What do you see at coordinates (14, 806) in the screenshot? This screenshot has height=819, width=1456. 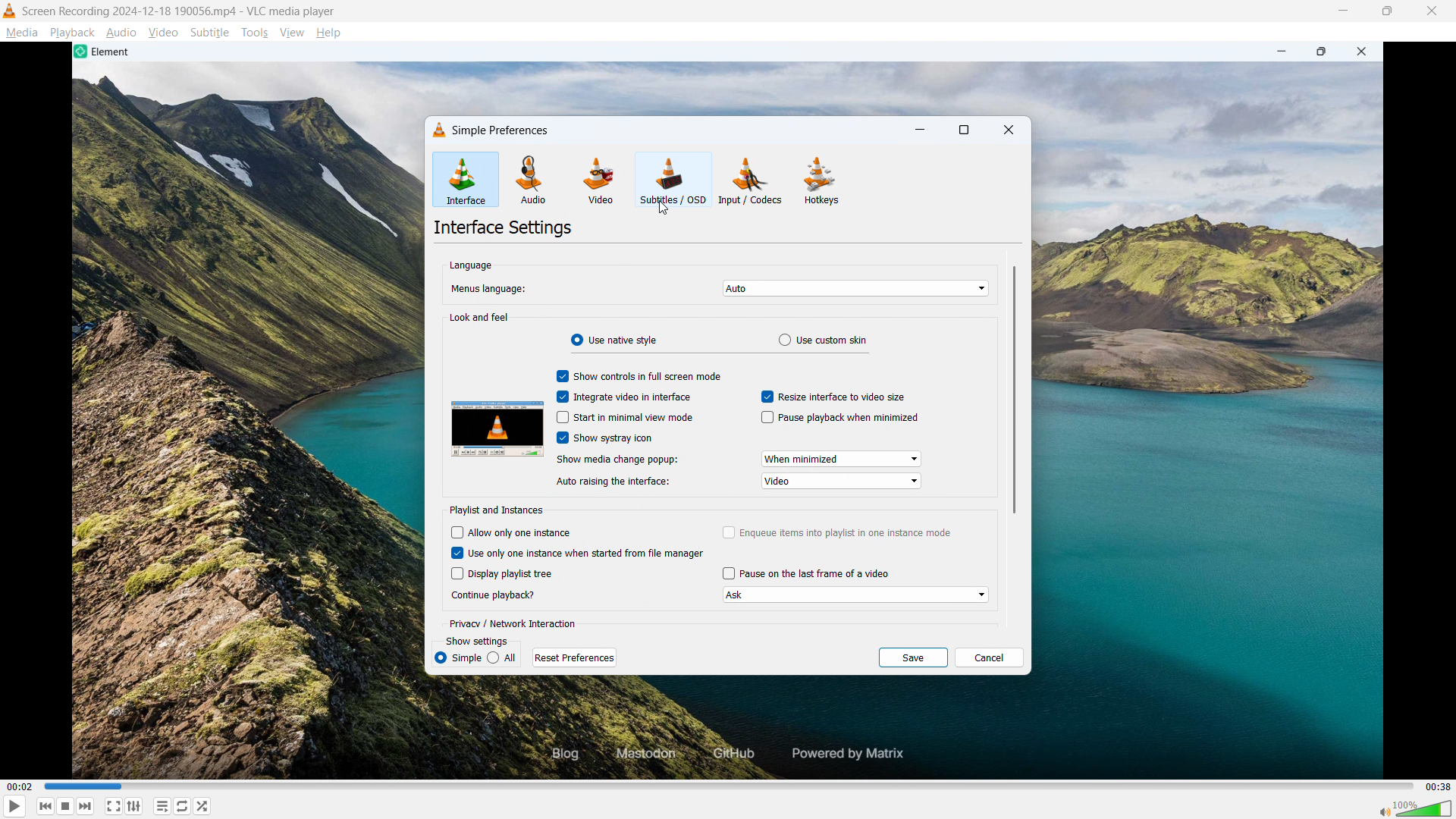 I see `Play ` at bounding box center [14, 806].